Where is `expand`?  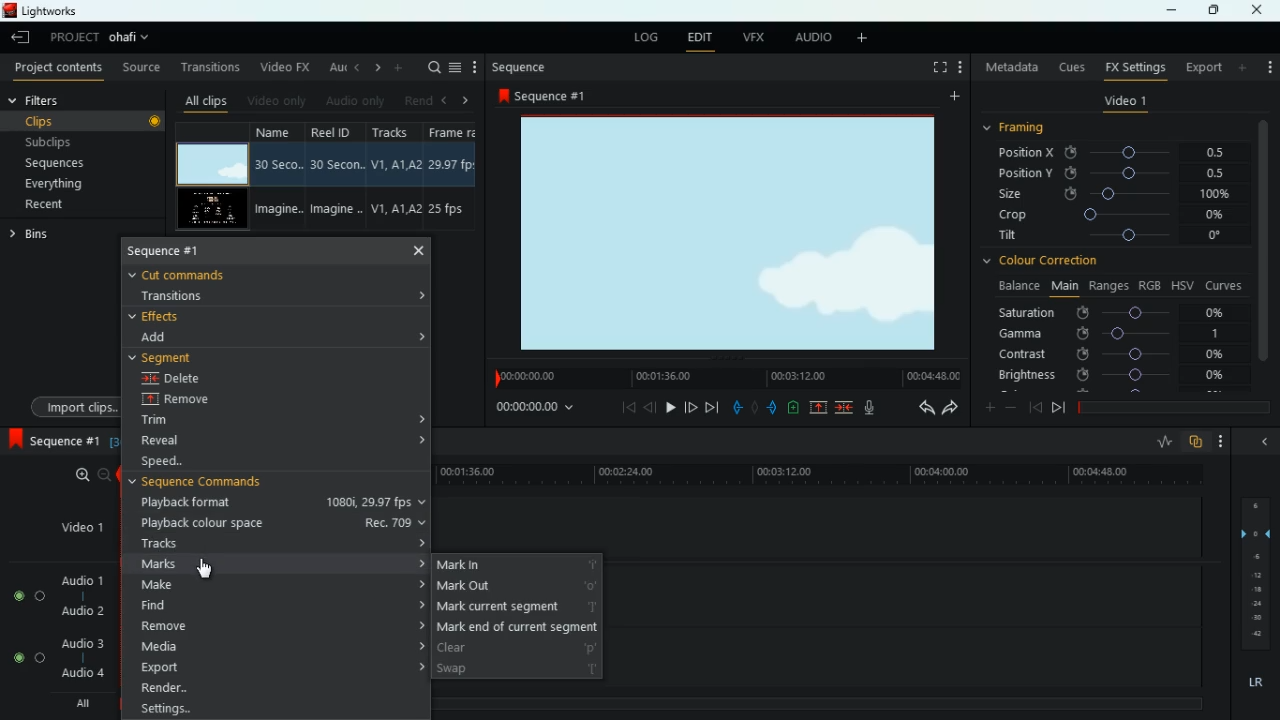
expand is located at coordinates (418, 439).